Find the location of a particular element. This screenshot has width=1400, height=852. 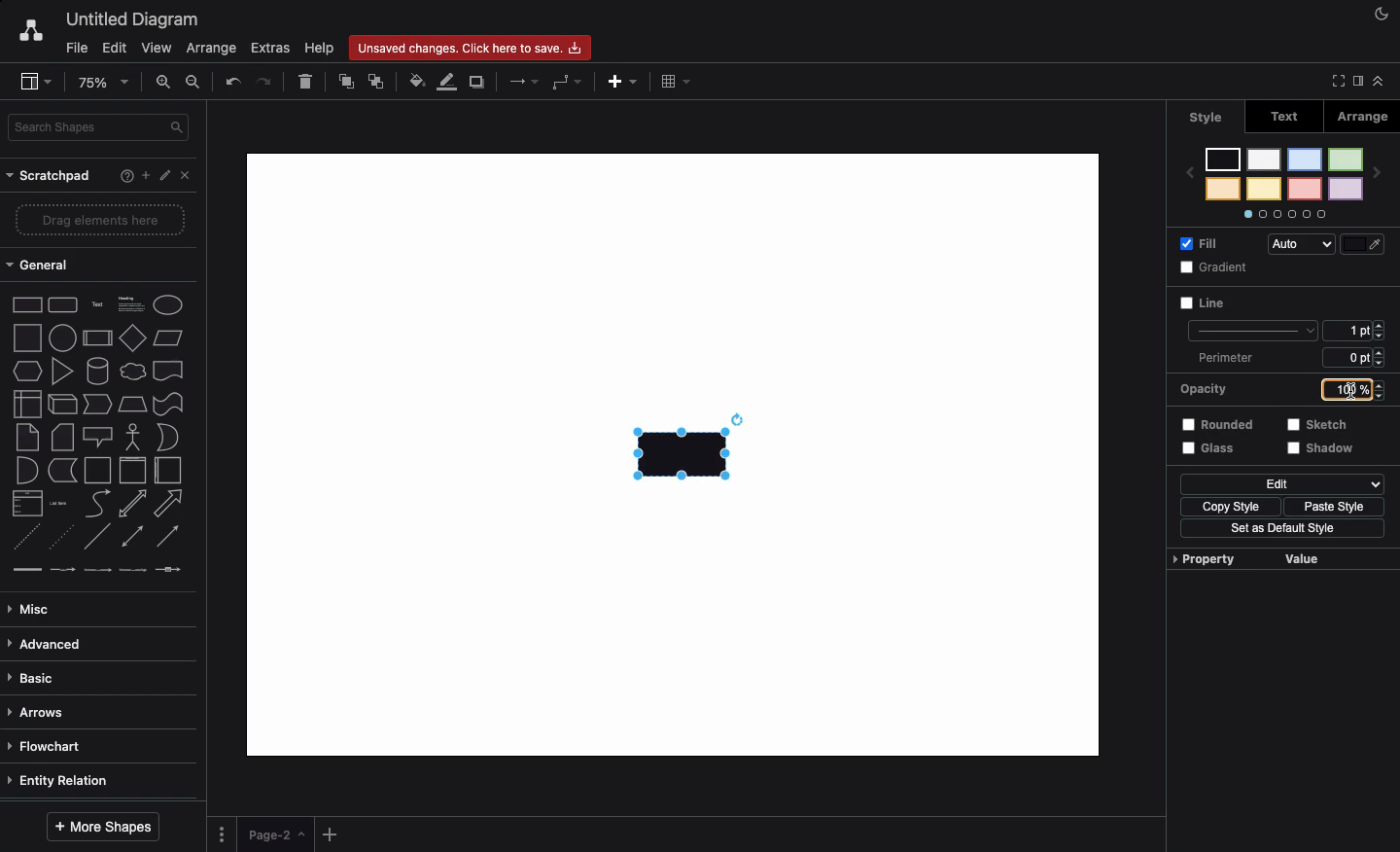

Text is located at coordinates (98, 305).